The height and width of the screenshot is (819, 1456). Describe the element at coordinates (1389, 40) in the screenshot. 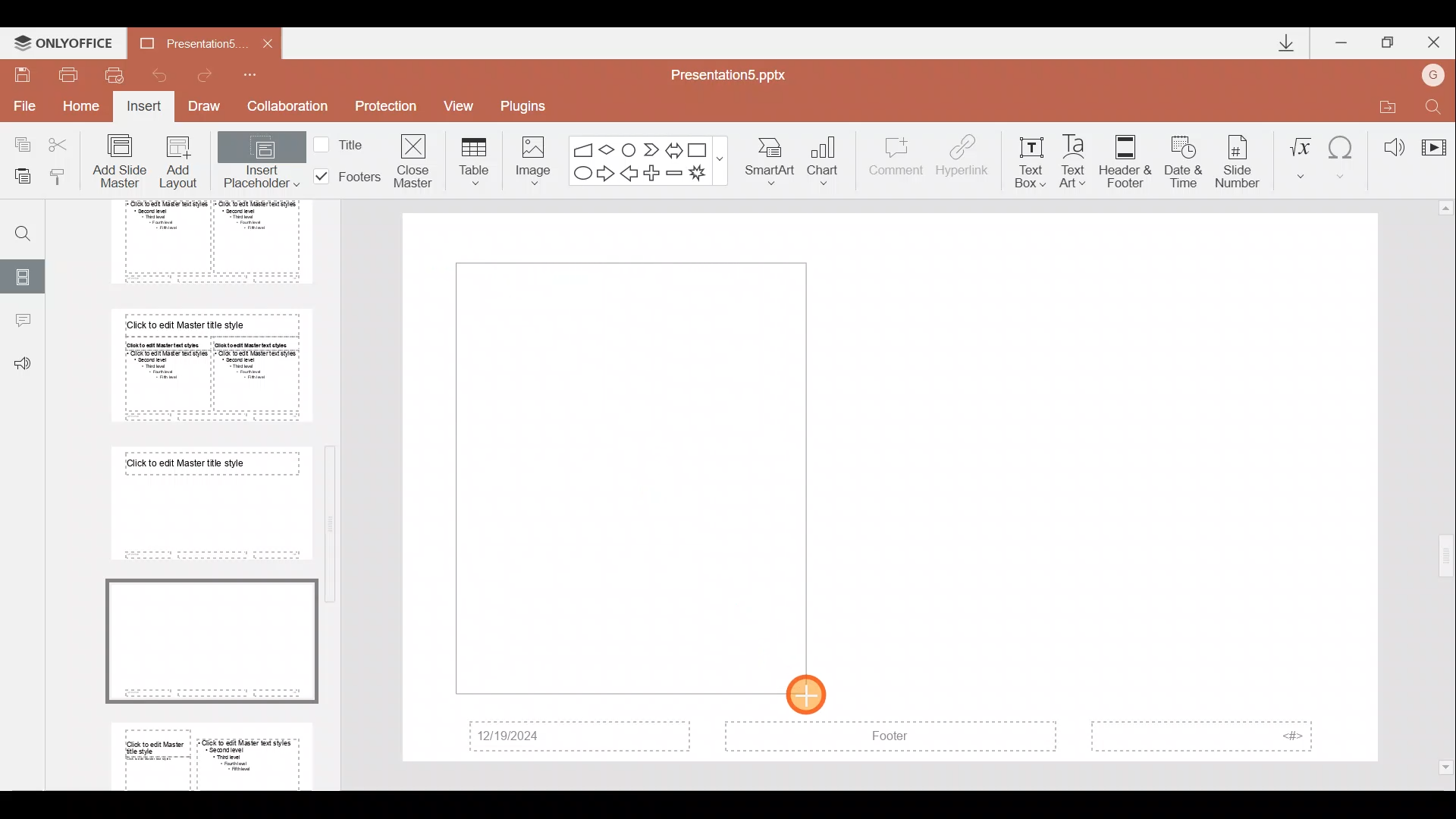

I see `Maximize` at that location.